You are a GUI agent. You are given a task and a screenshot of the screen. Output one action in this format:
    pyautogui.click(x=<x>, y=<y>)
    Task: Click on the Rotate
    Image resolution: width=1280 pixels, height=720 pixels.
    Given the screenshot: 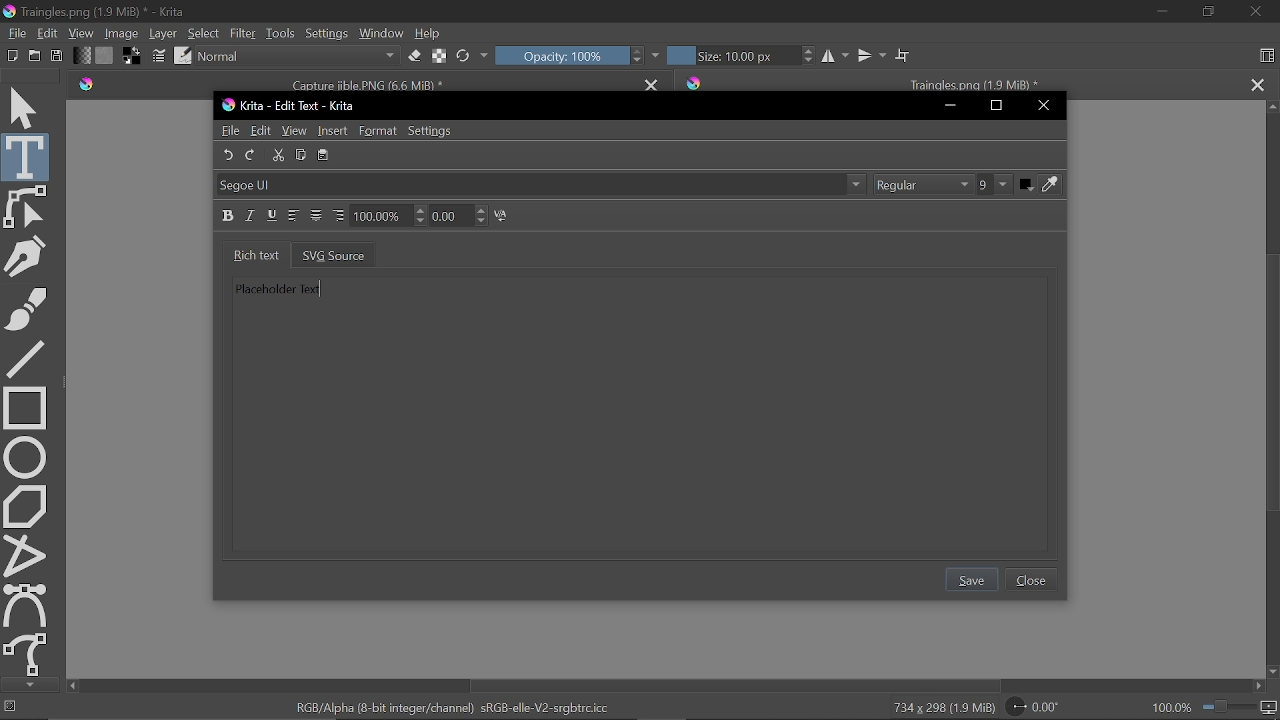 What is the action you would take?
    pyautogui.click(x=1038, y=708)
    